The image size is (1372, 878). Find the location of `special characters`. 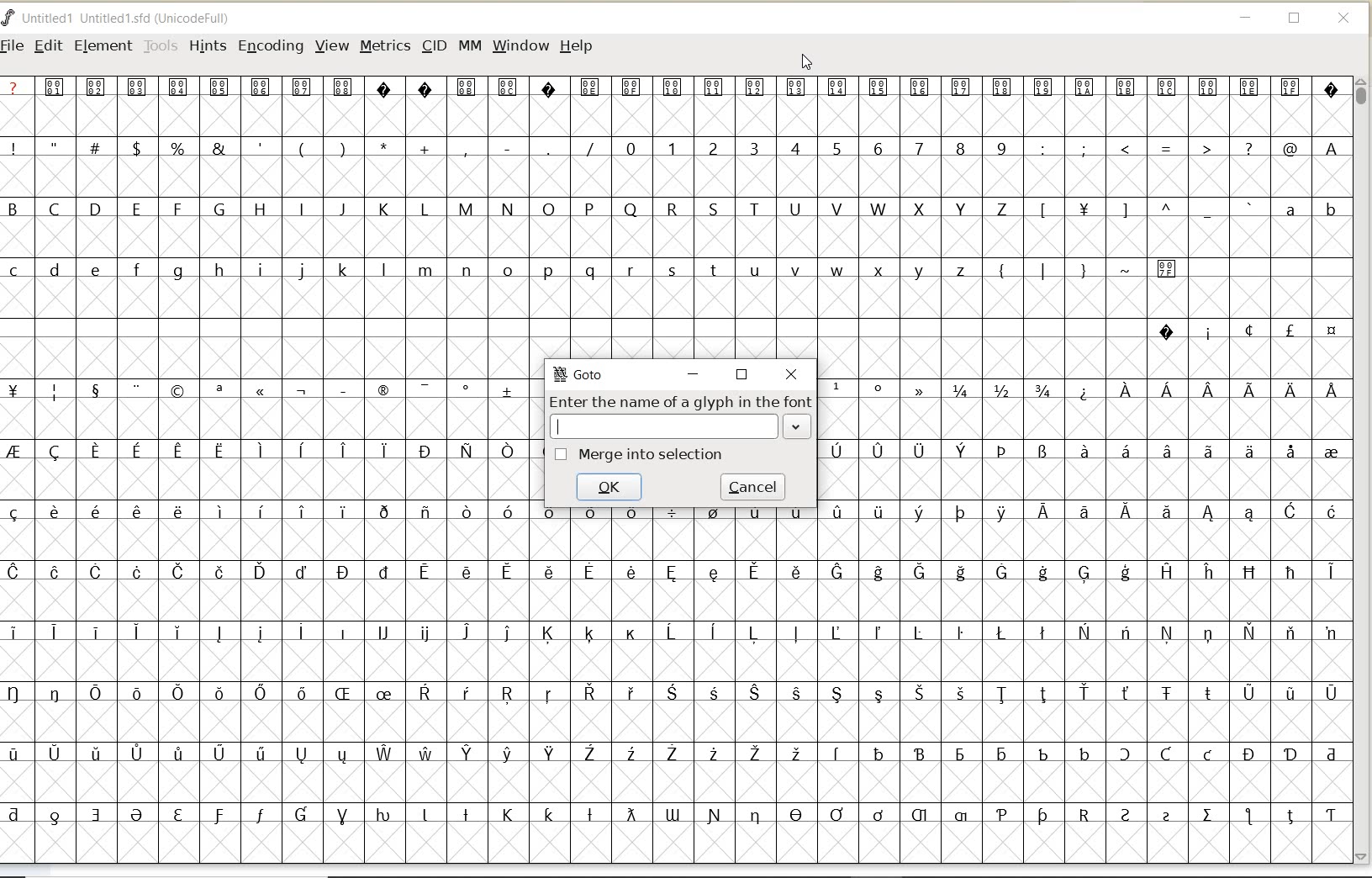

special characters is located at coordinates (272, 436).